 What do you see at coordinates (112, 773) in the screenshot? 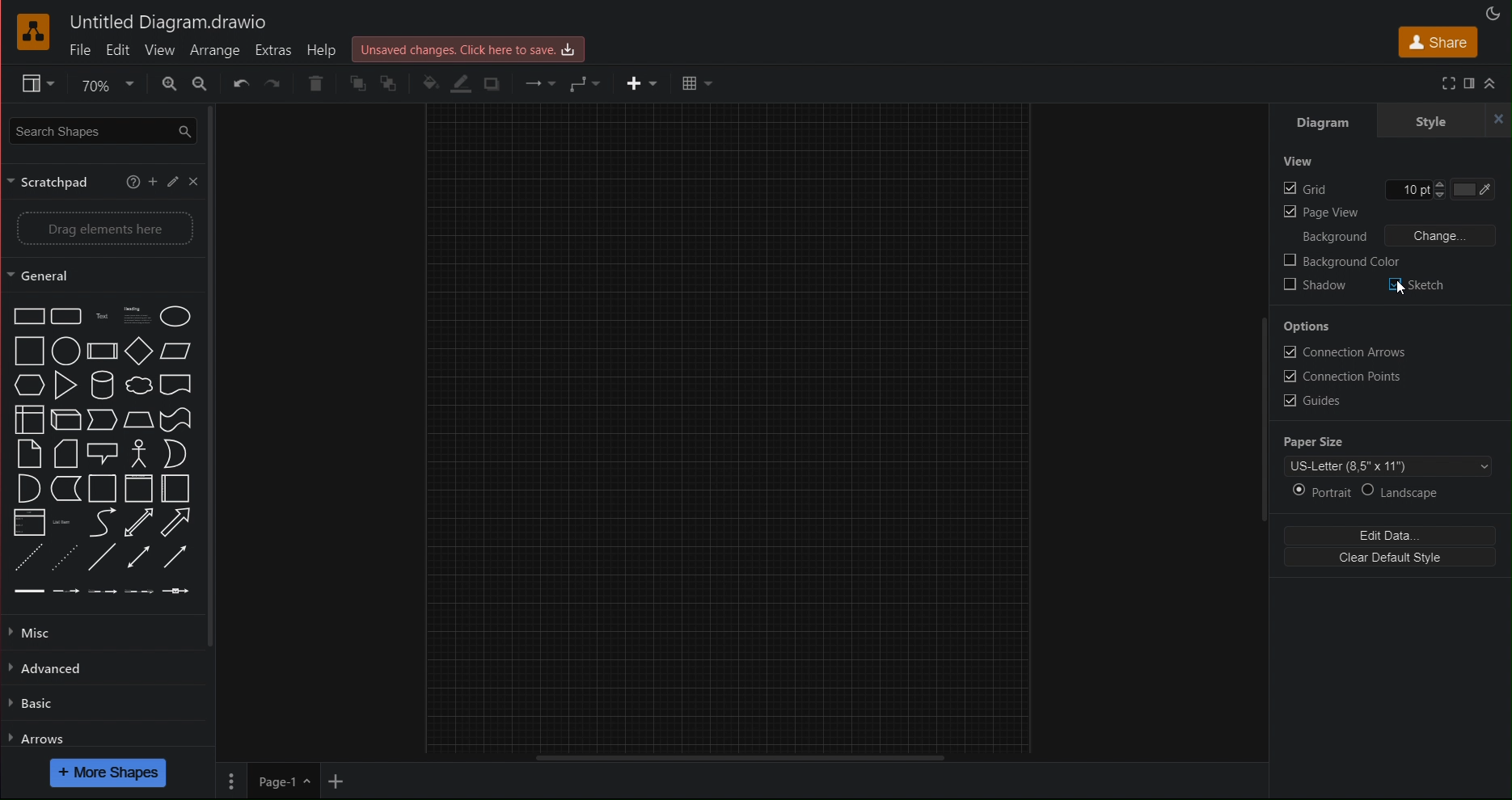
I see `More Shapes` at bounding box center [112, 773].